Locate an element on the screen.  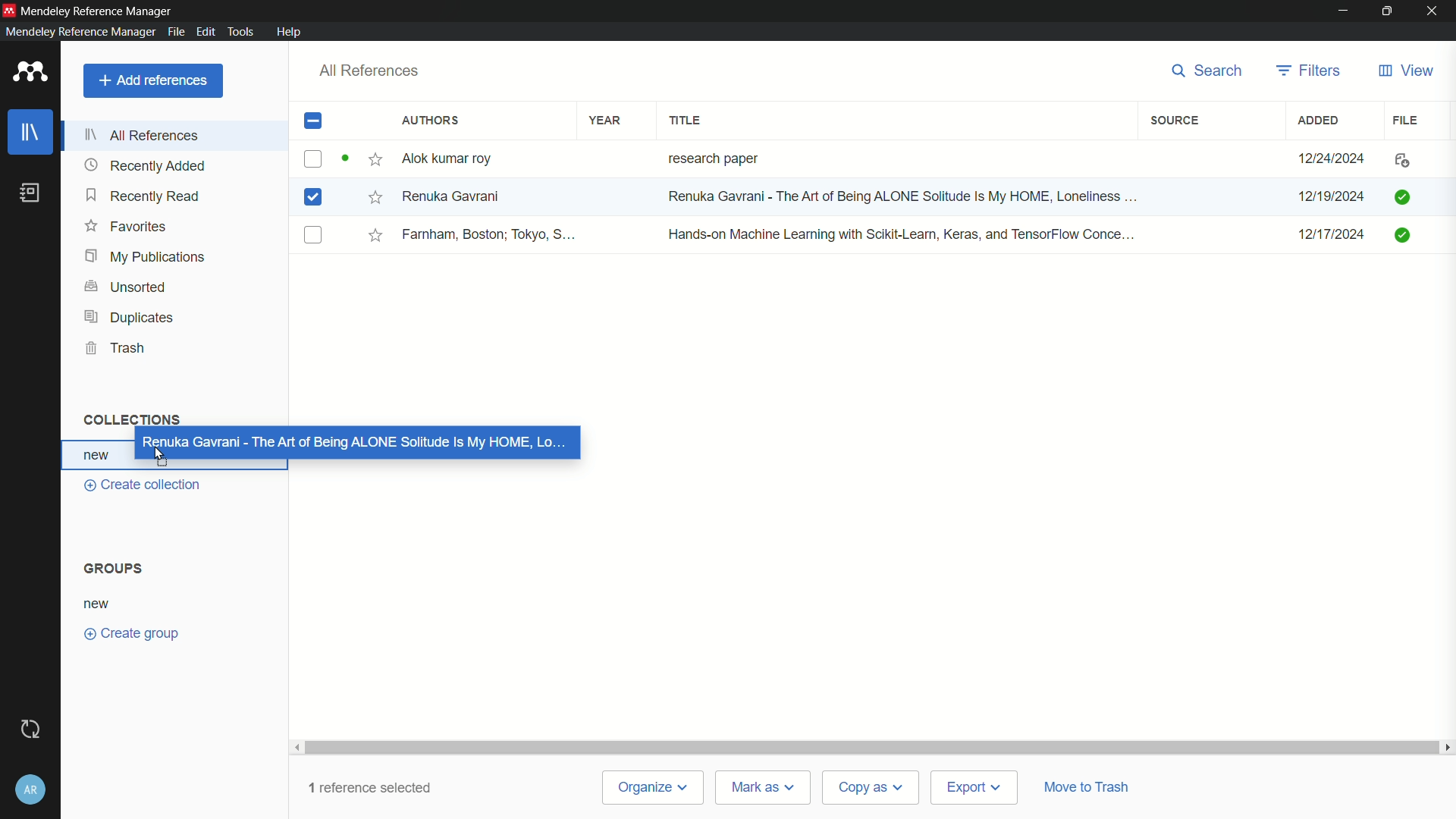
Scroll bar is located at coordinates (868, 748).